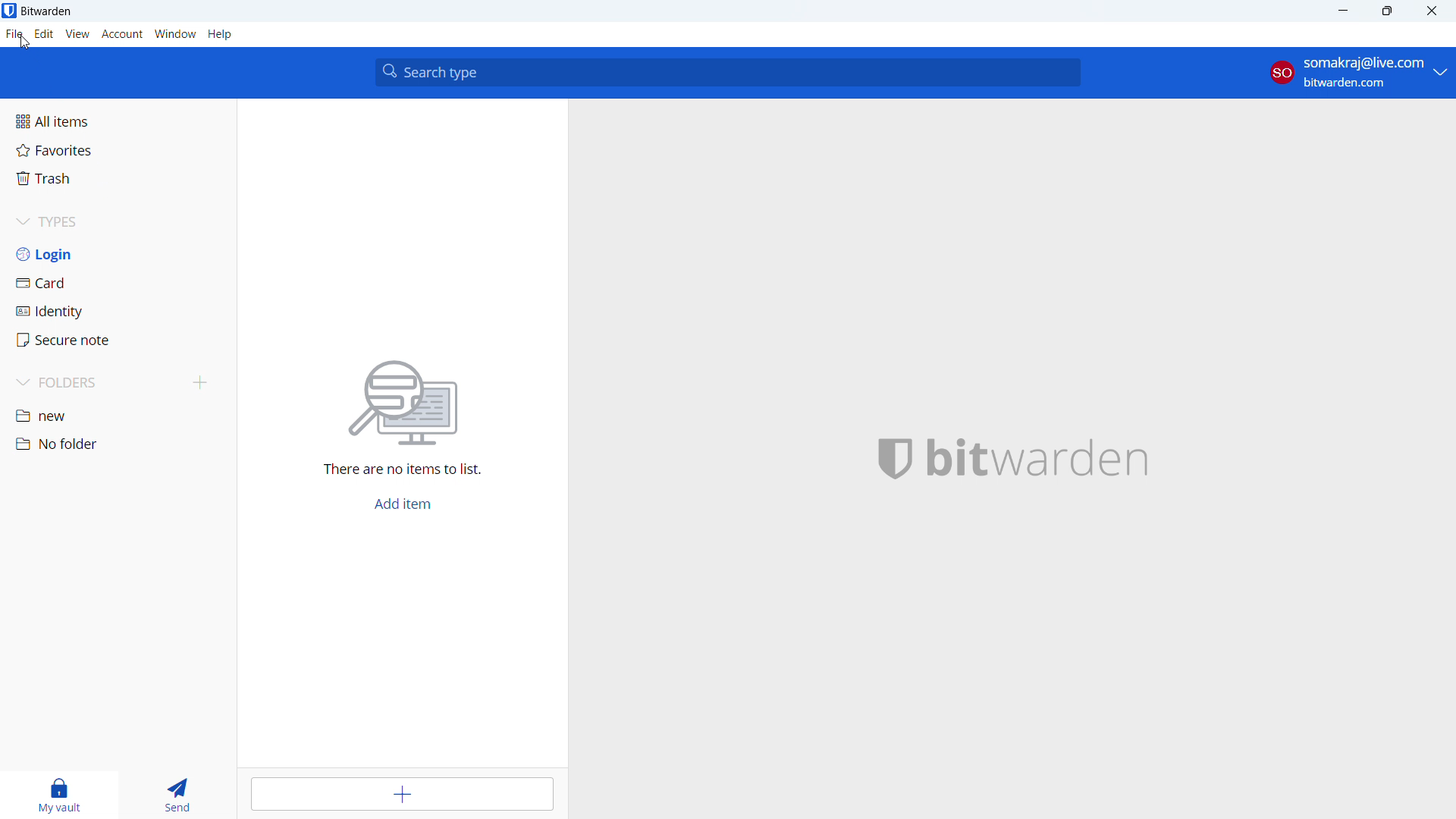 This screenshot has width=1456, height=819. Describe the element at coordinates (96, 382) in the screenshot. I see `folders` at that location.